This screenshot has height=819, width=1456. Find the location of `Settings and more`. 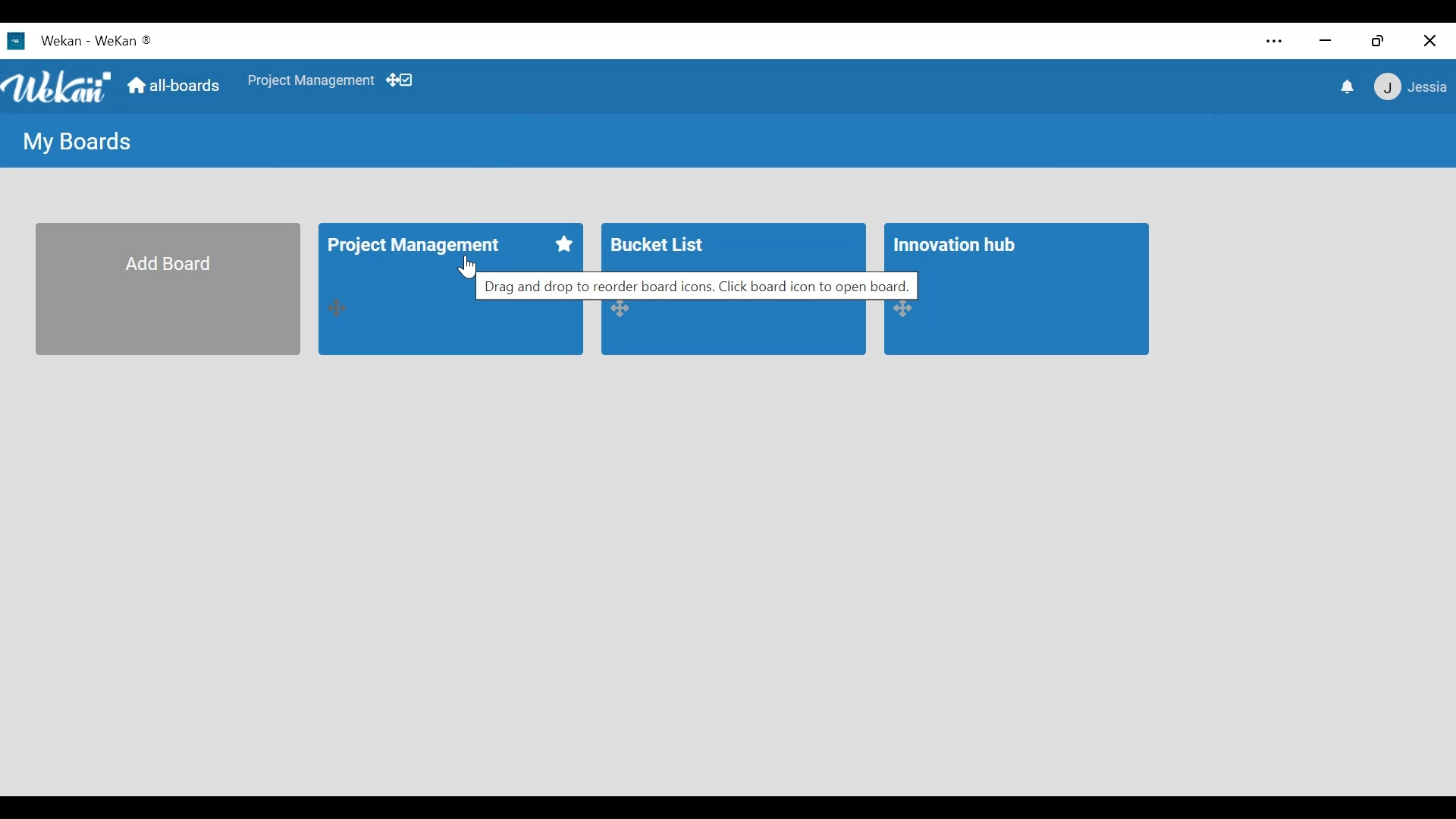

Settings and more is located at coordinates (1273, 41).